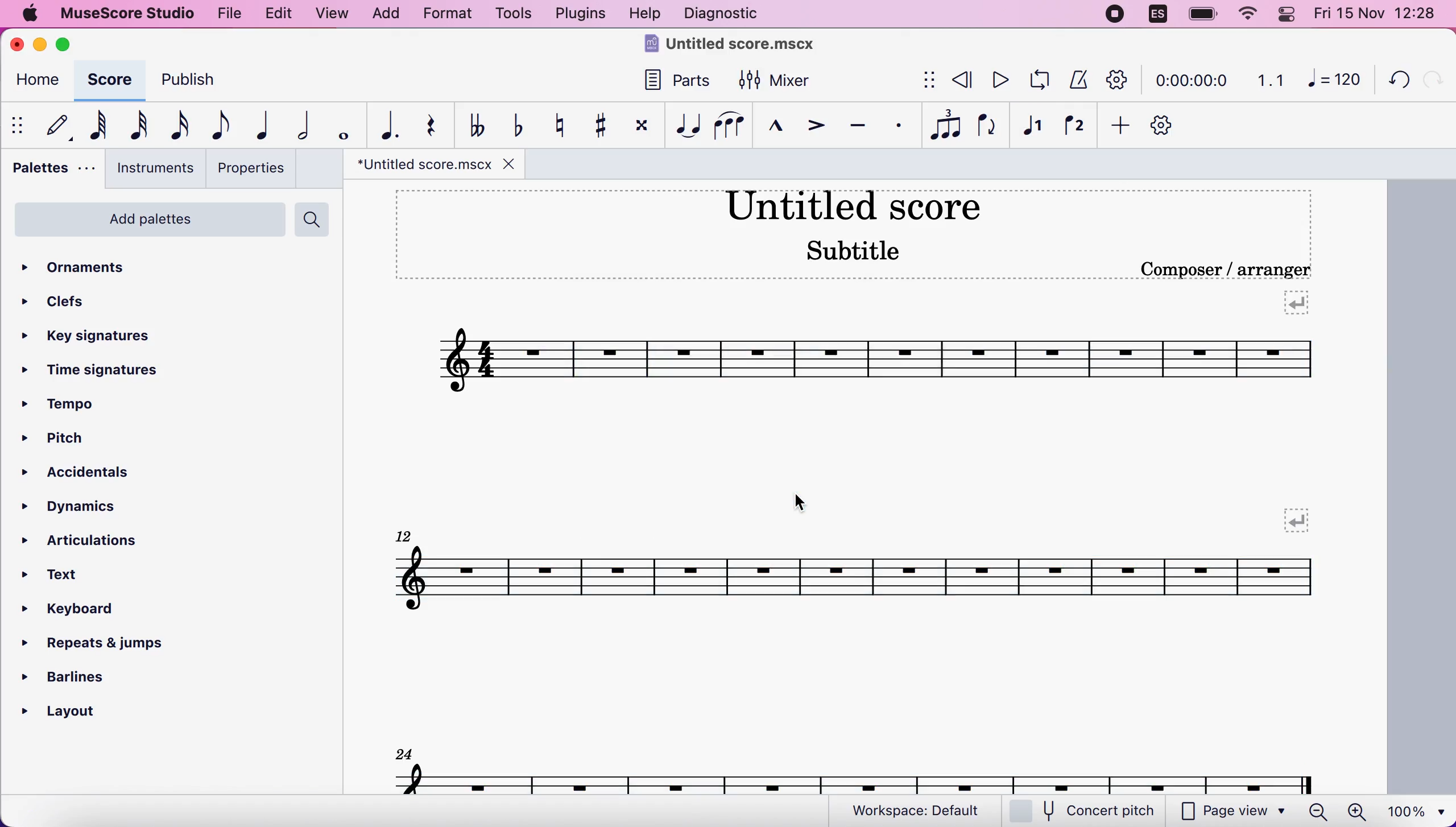 This screenshot has height=827, width=1456. What do you see at coordinates (988, 126) in the screenshot?
I see `flip direction` at bounding box center [988, 126].